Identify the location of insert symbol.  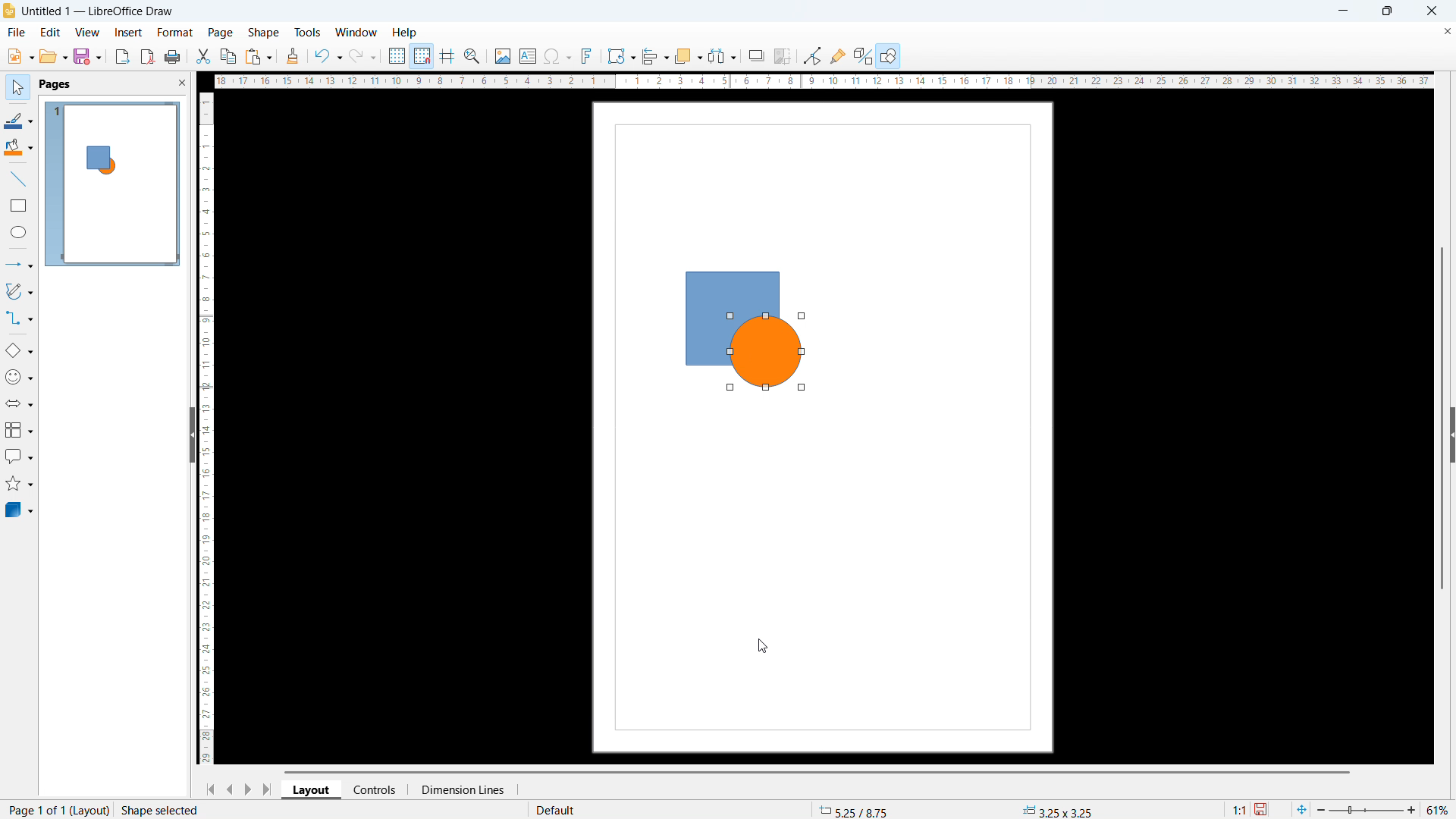
(558, 56).